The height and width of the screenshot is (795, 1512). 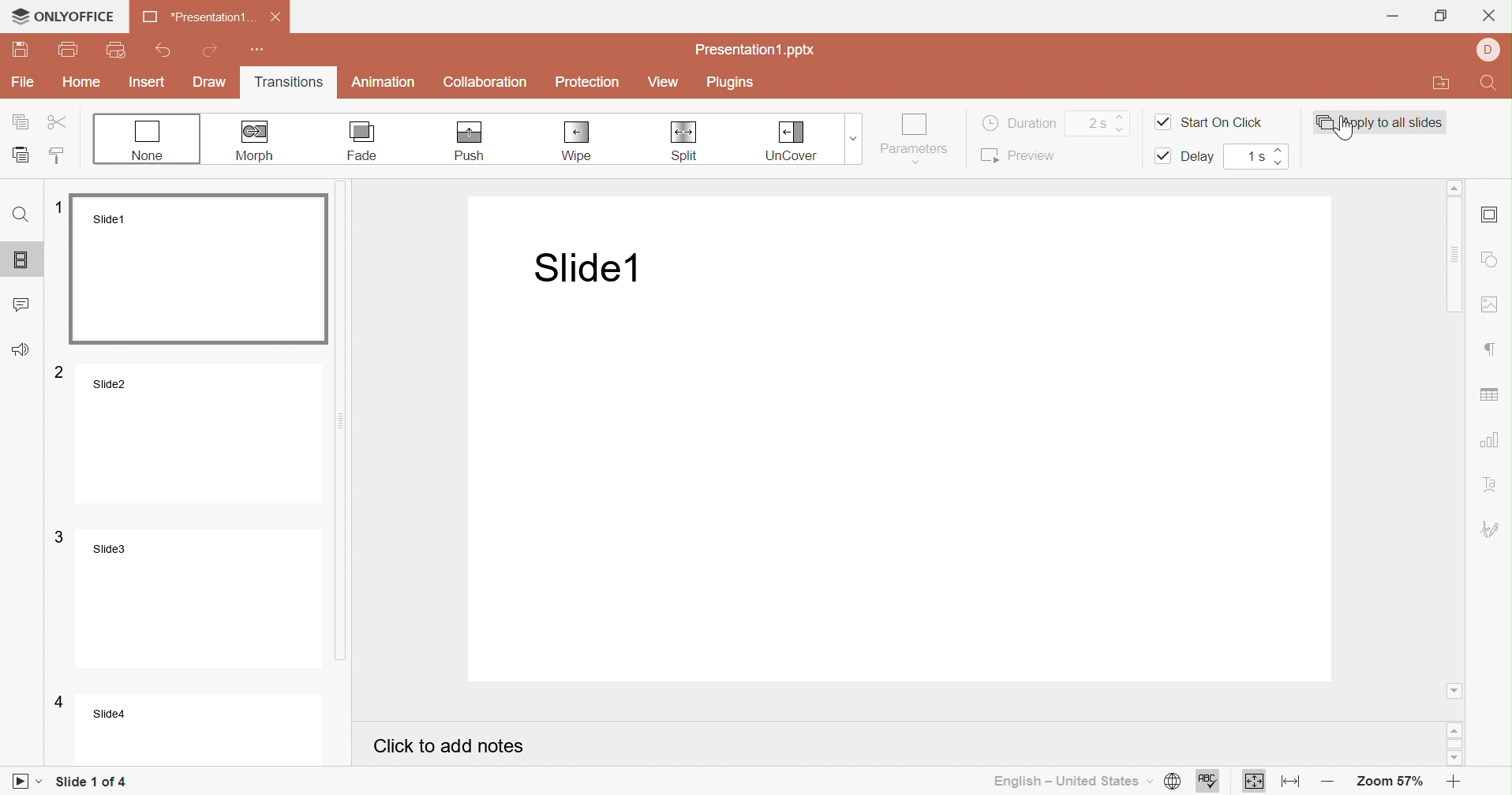 I want to click on Animation, so click(x=384, y=82).